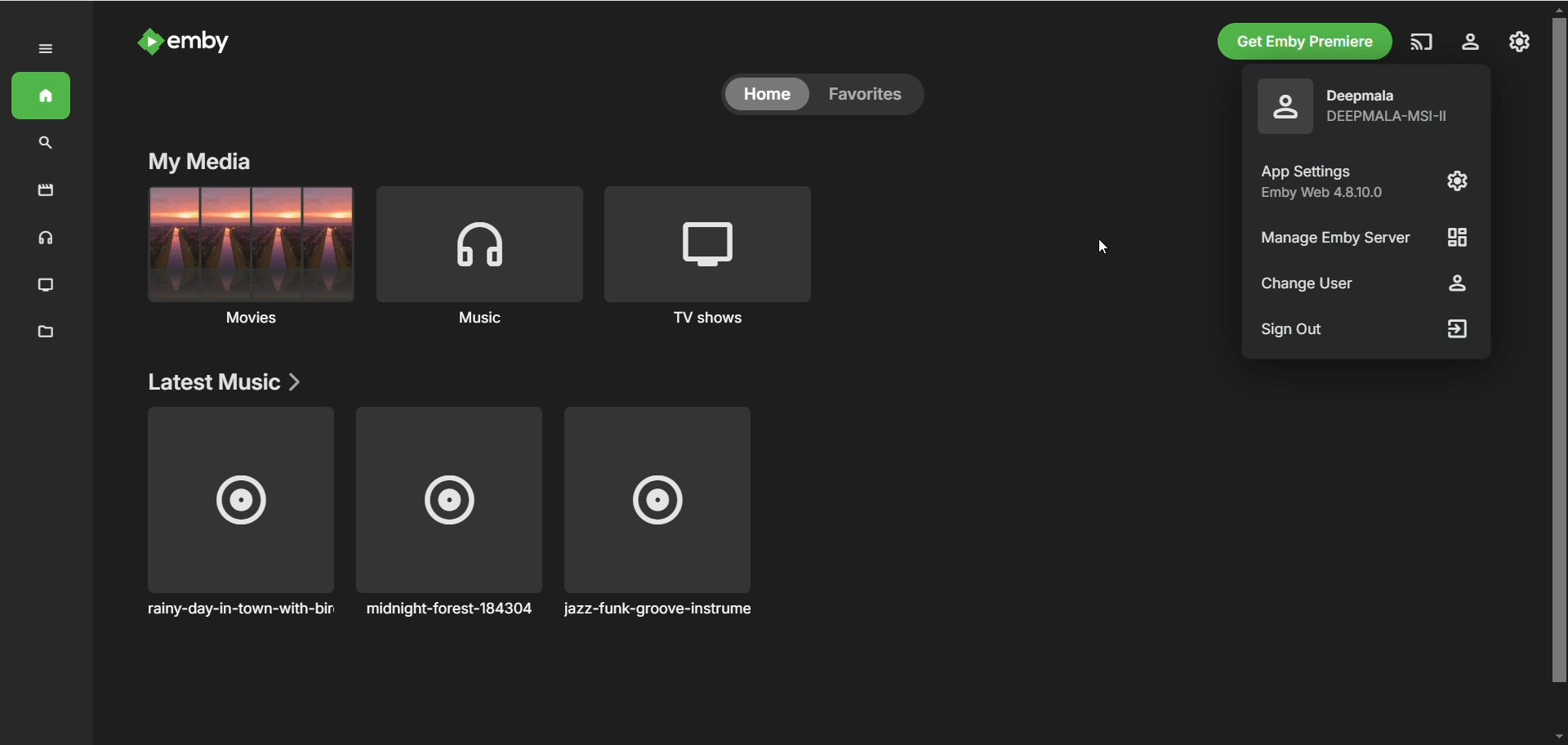 The width and height of the screenshot is (1568, 745). Describe the element at coordinates (45, 332) in the screenshot. I see `metadata manager` at that location.